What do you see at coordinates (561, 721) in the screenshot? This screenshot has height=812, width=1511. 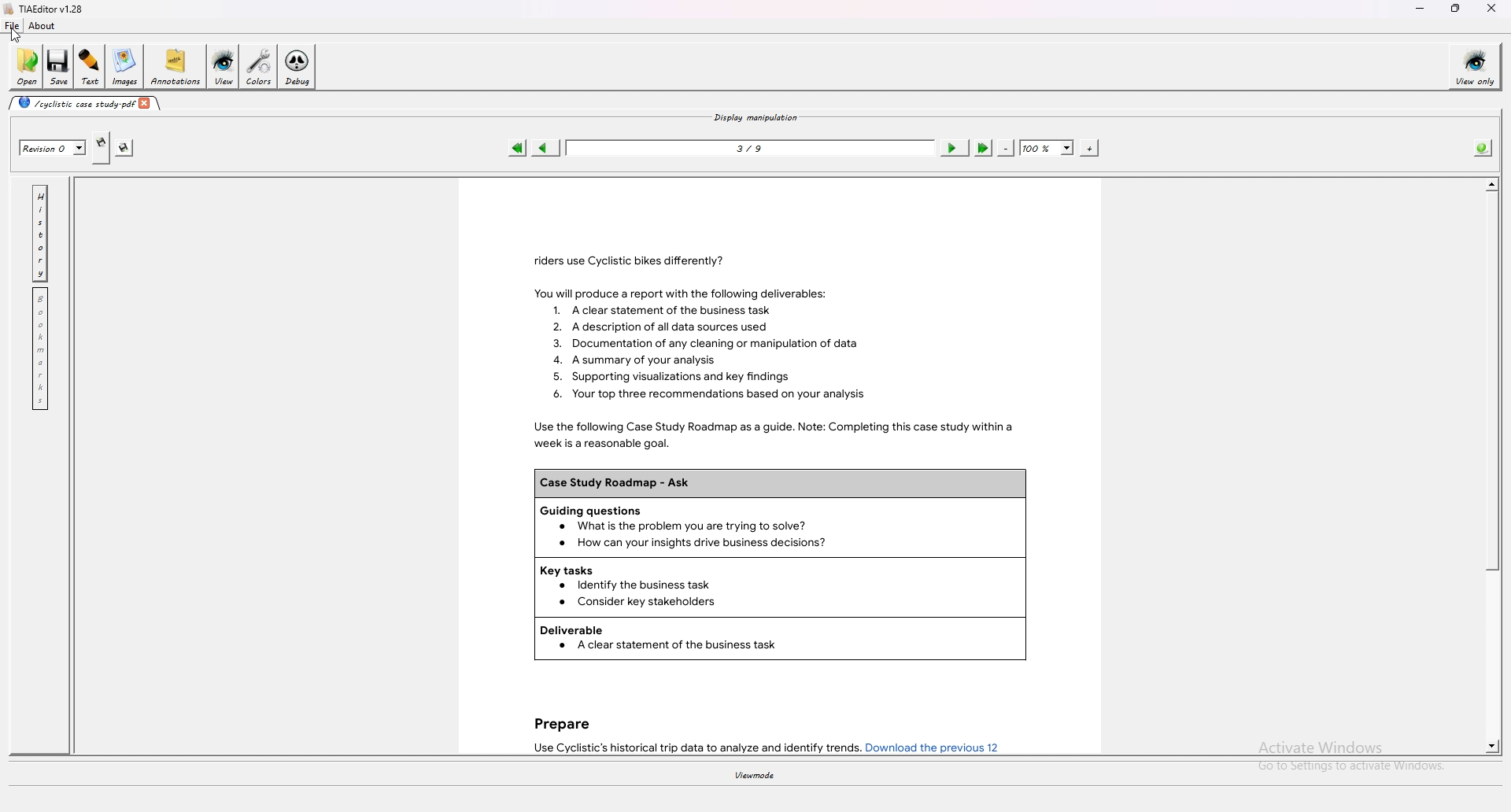 I see `Prepare` at bounding box center [561, 721].